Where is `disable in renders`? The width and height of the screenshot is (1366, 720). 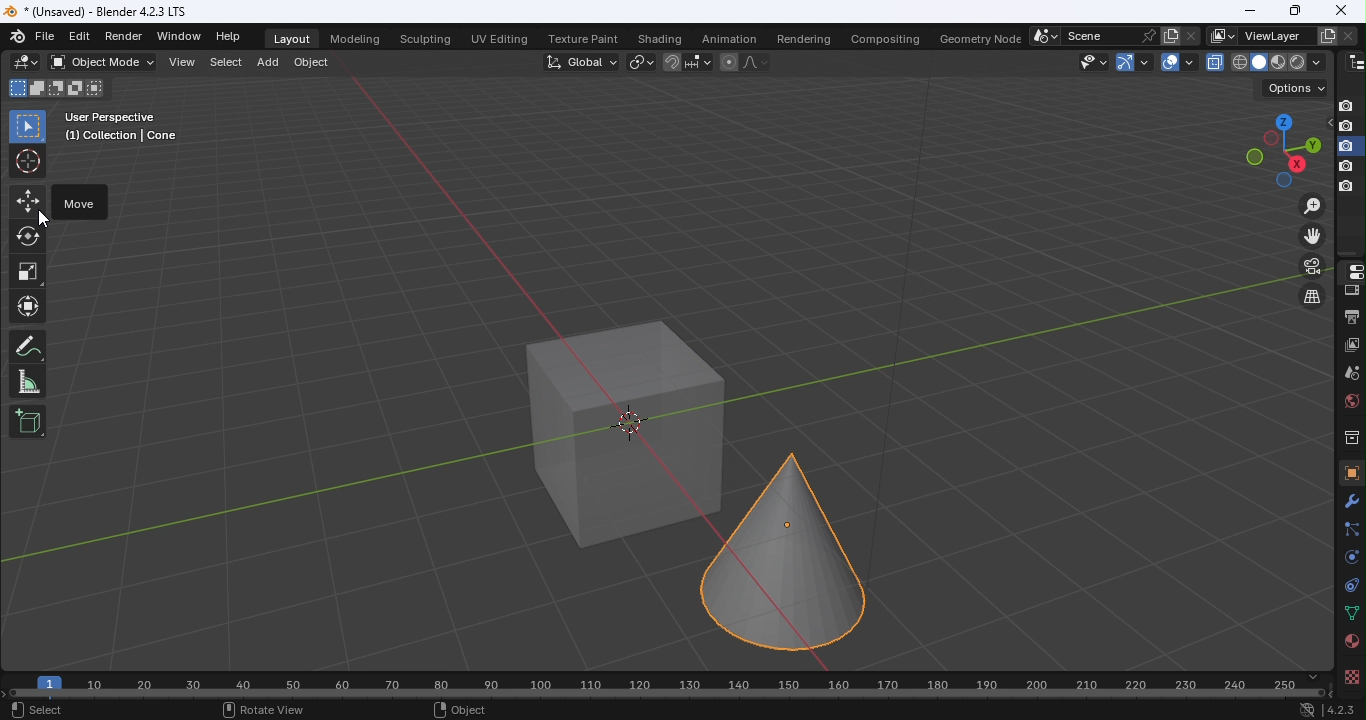 disable in renders is located at coordinates (1345, 167).